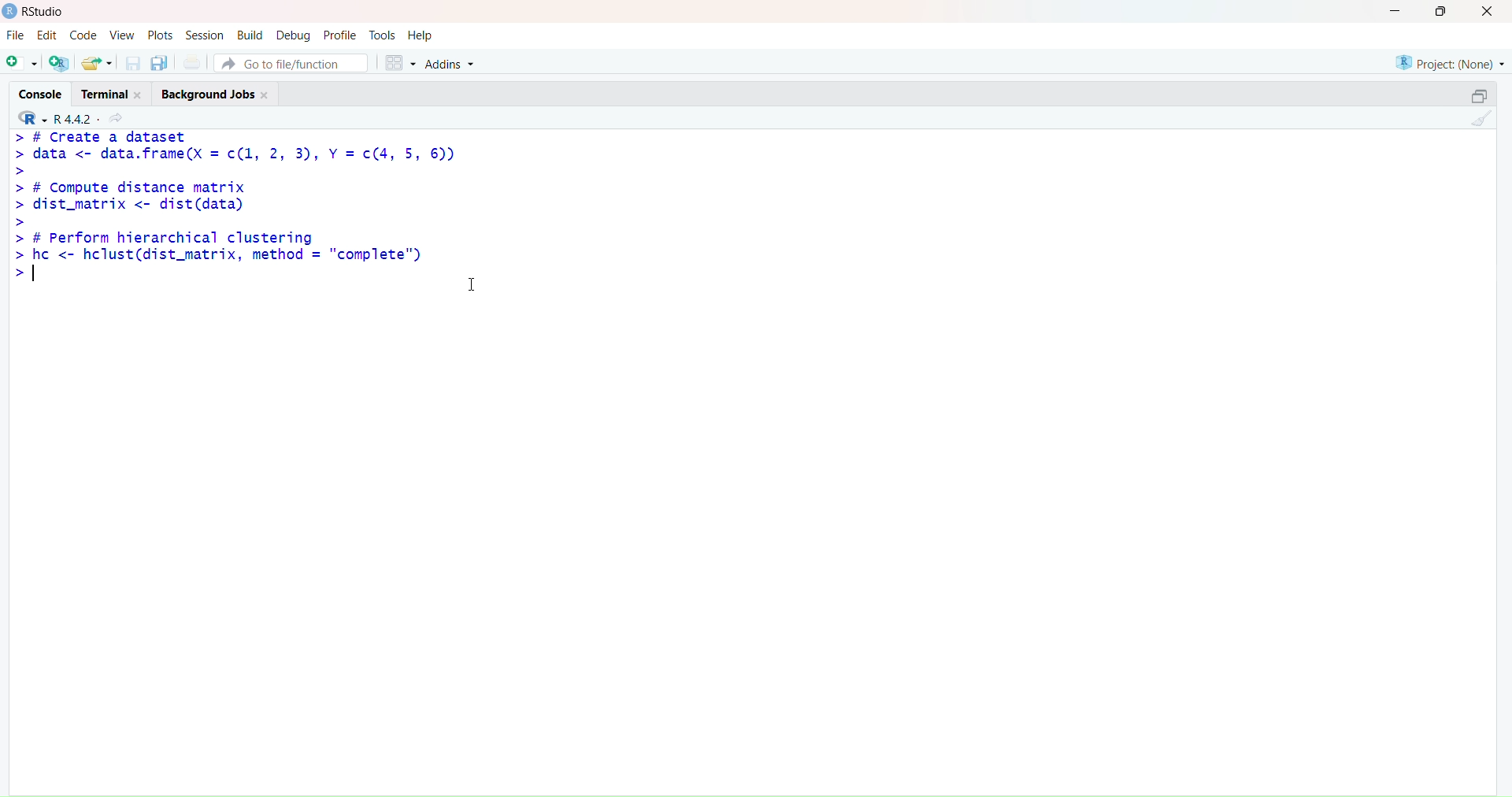 The height and width of the screenshot is (797, 1512). I want to click on Plots, so click(160, 35).